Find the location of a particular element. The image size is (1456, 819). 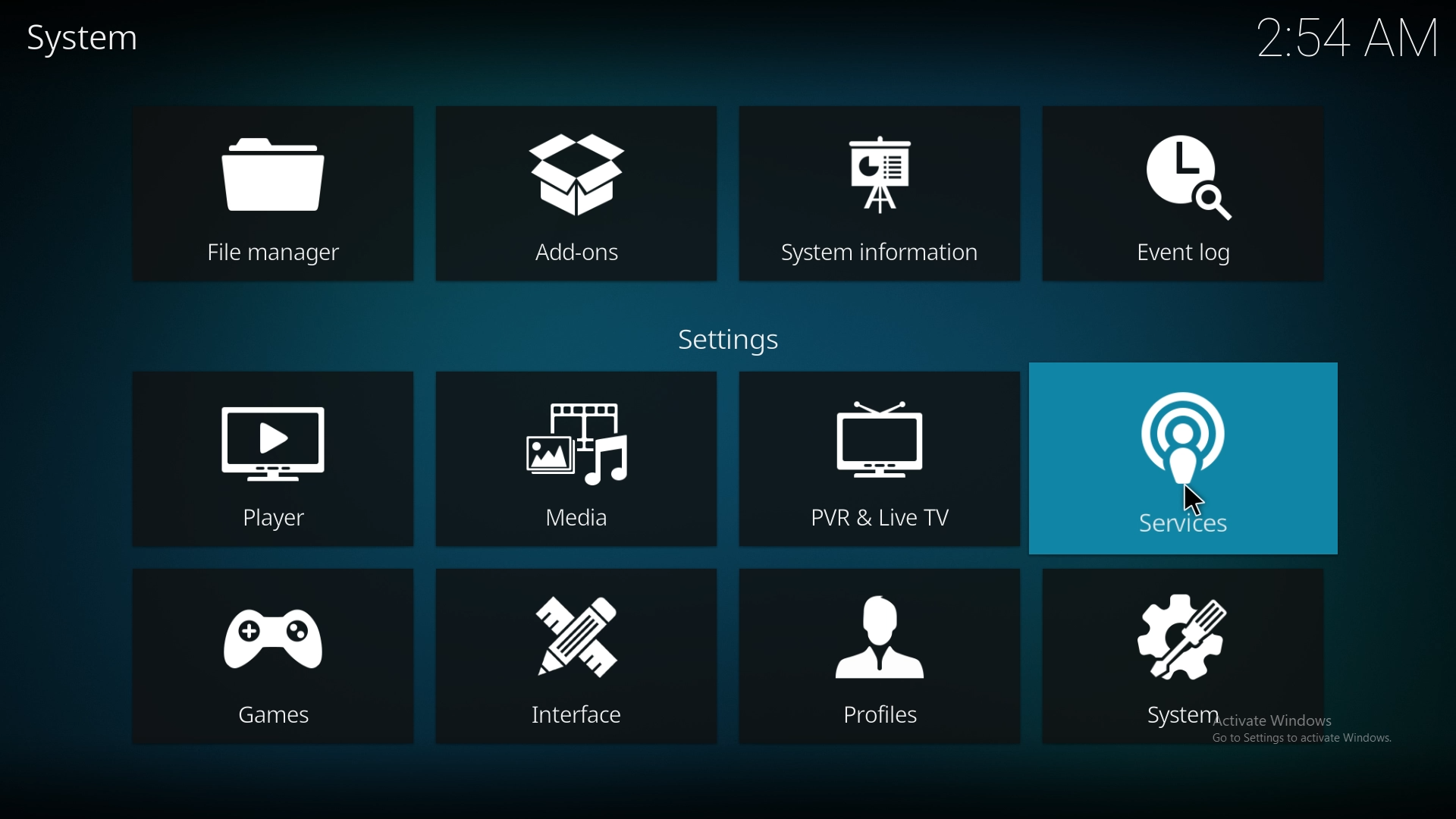

settings is located at coordinates (731, 338).